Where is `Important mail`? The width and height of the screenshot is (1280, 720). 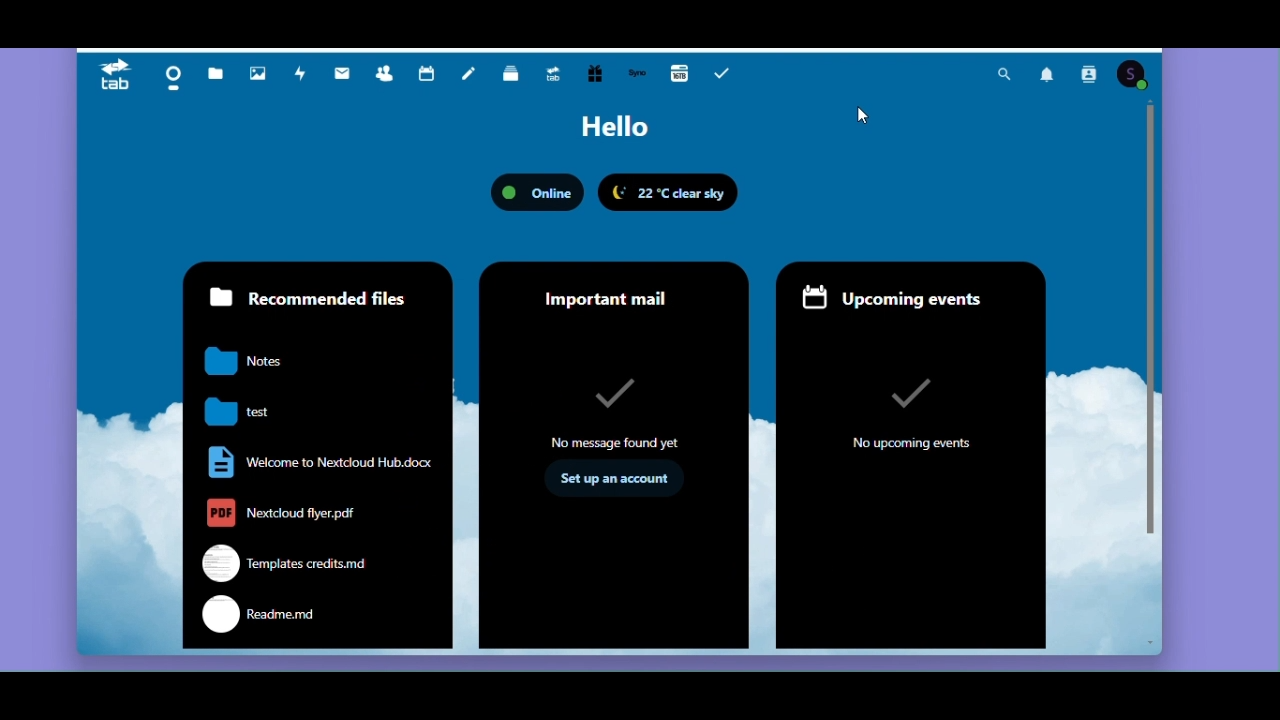 Important mail is located at coordinates (613, 291).